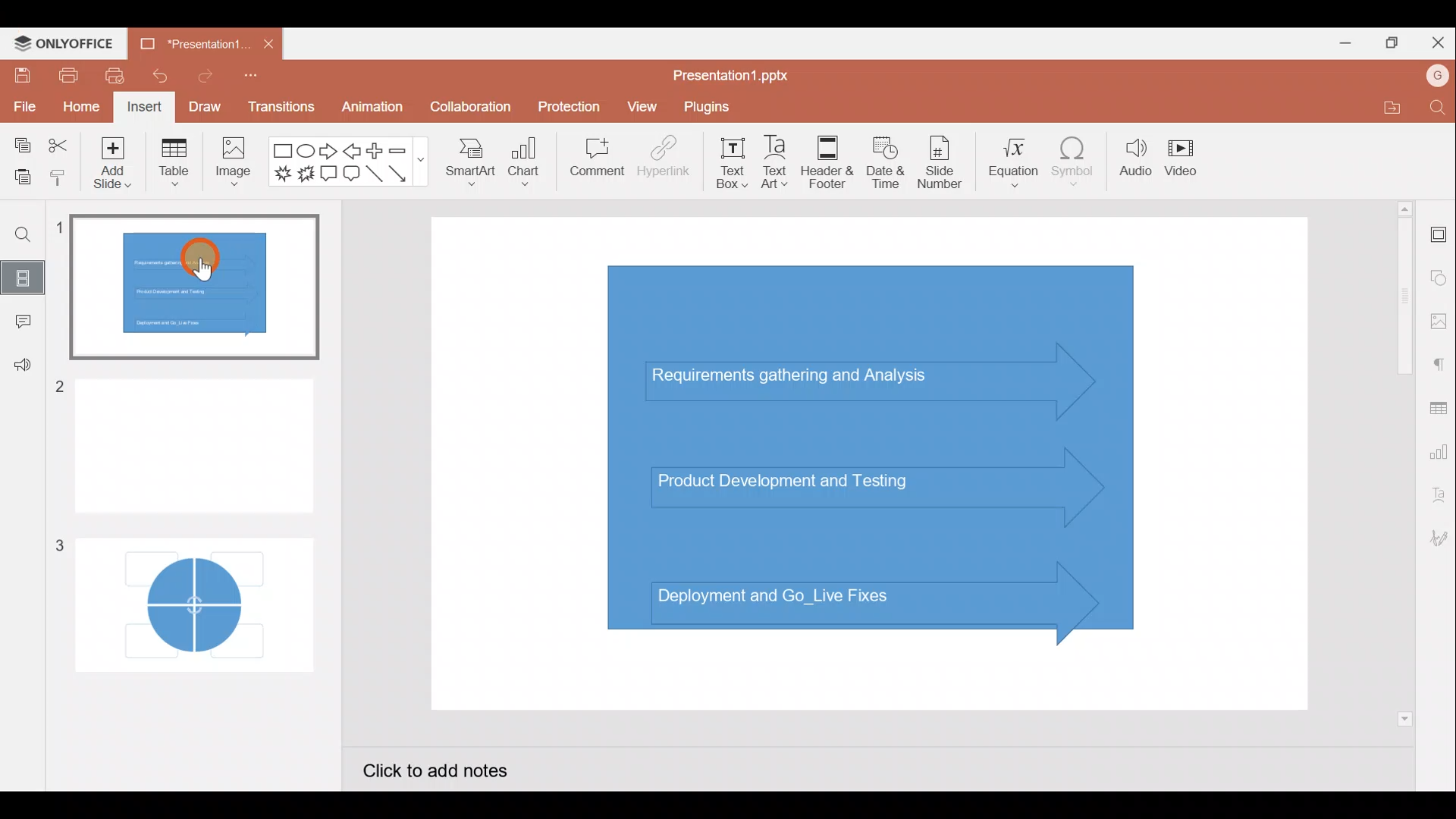 The height and width of the screenshot is (819, 1456). What do you see at coordinates (58, 142) in the screenshot?
I see `Cut` at bounding box center [58, 142].